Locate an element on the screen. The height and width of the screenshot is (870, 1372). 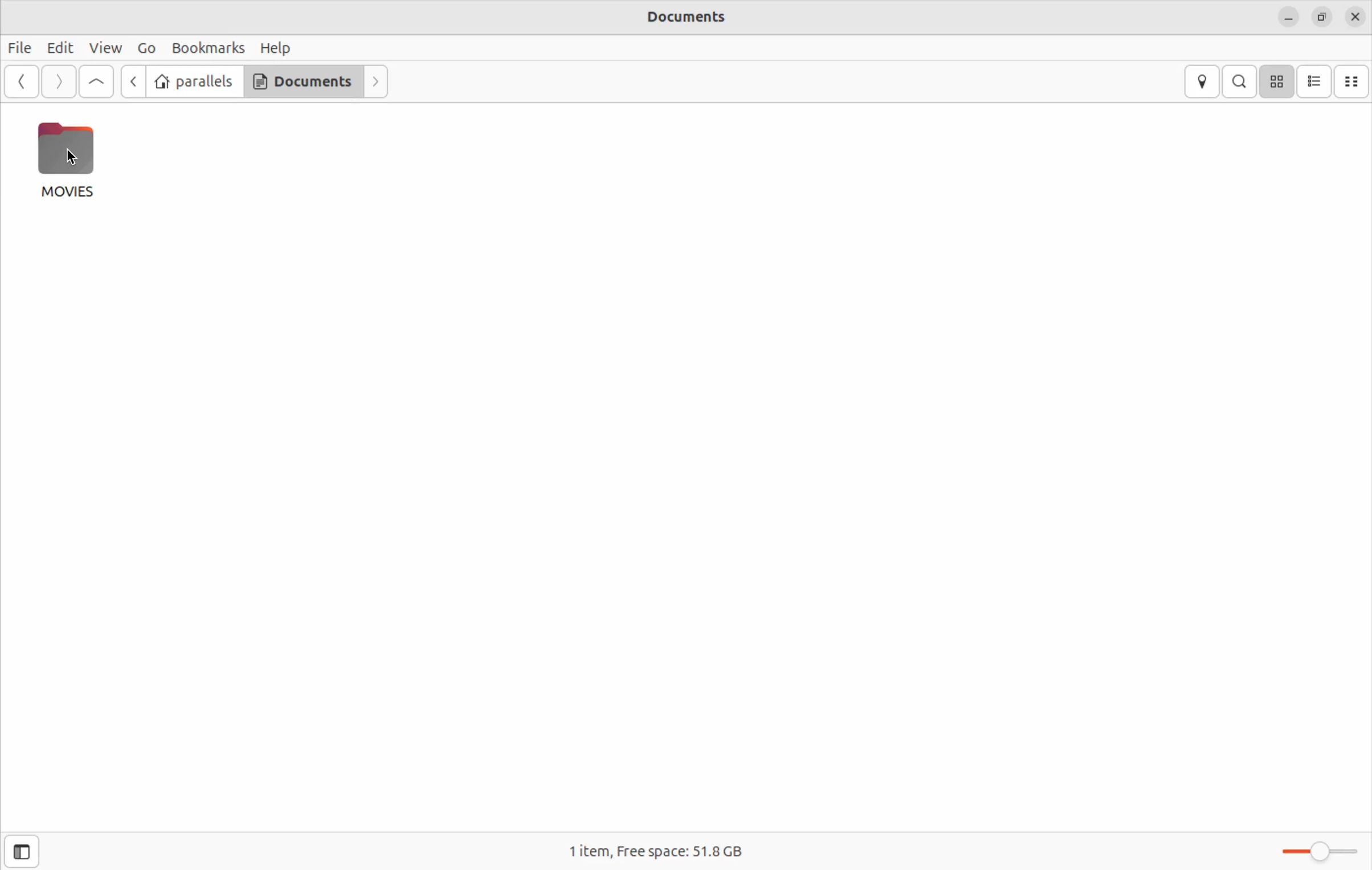
book marks is located at coordinates (208, 48).